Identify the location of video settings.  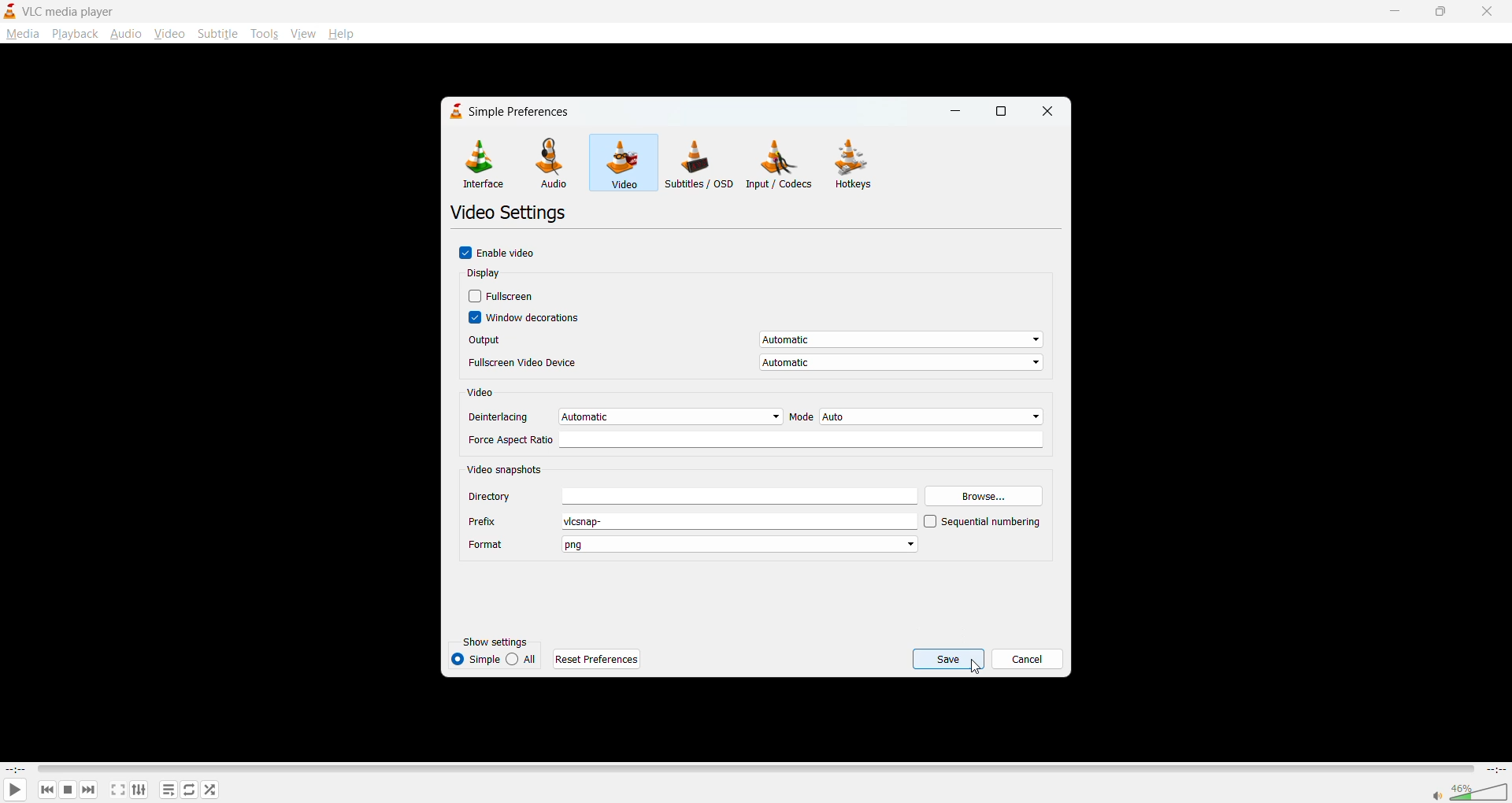
(512, 214).